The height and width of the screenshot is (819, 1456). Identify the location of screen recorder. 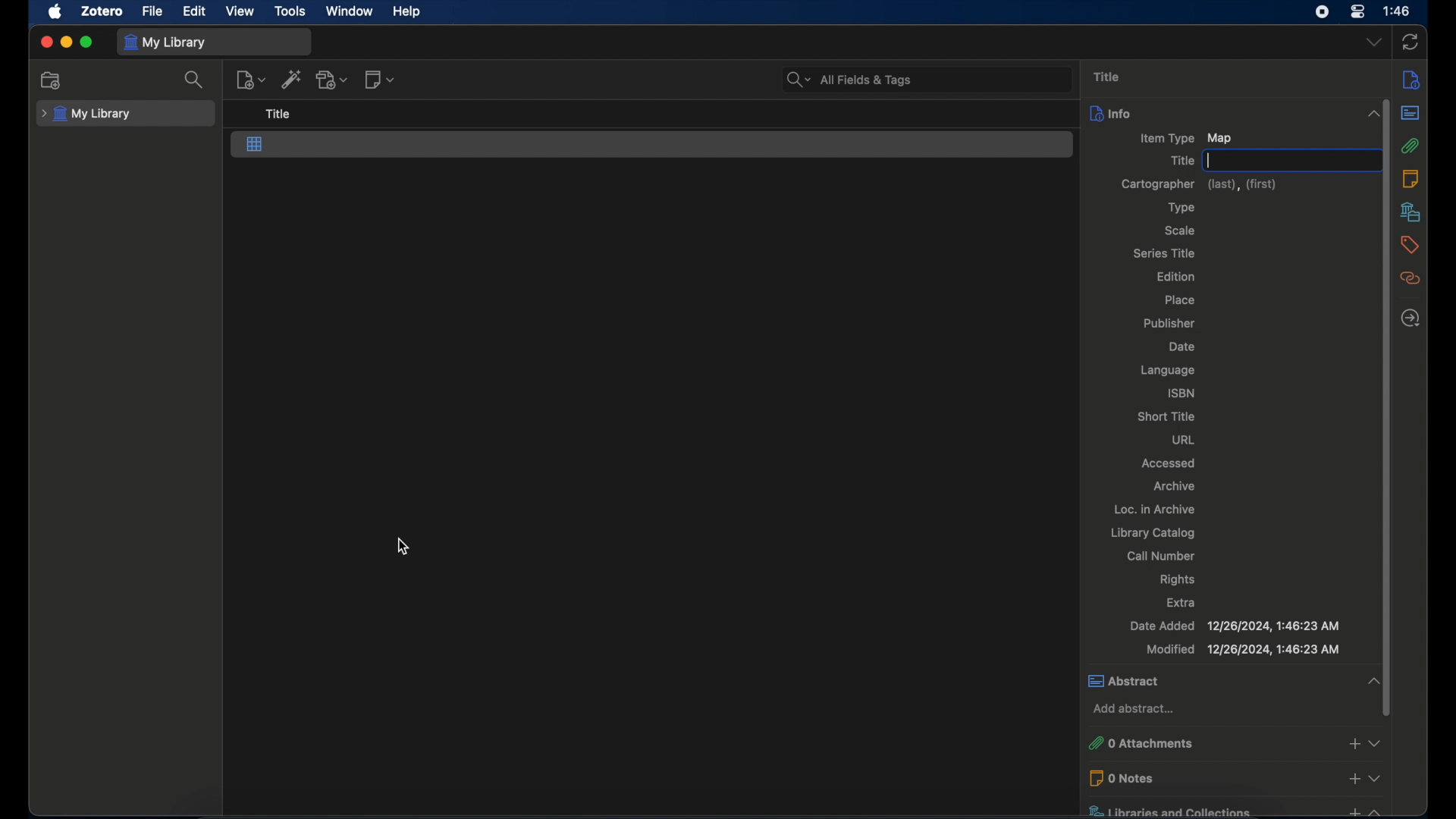
(1323, 12).